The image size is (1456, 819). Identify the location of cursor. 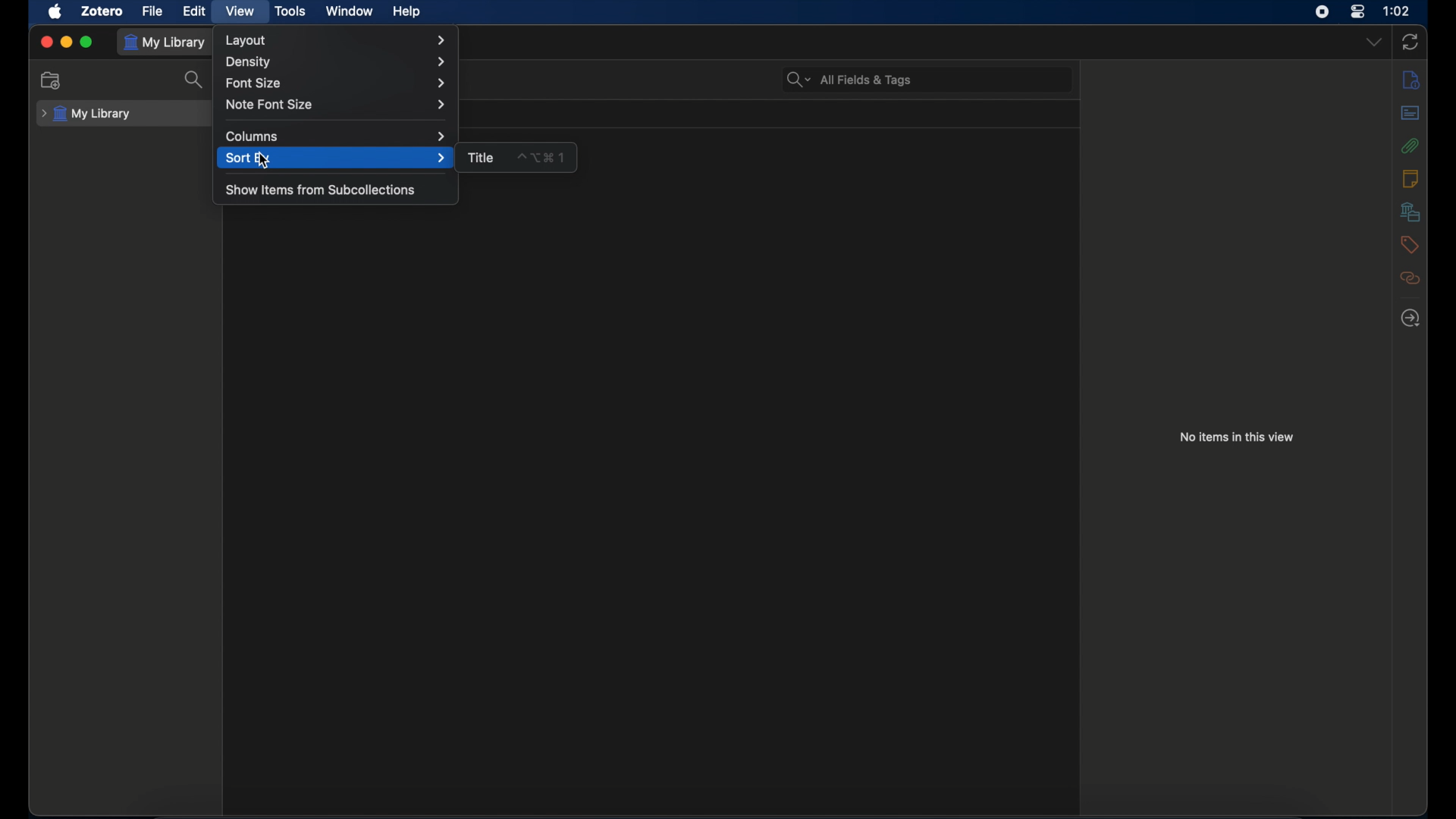
(265, 161).